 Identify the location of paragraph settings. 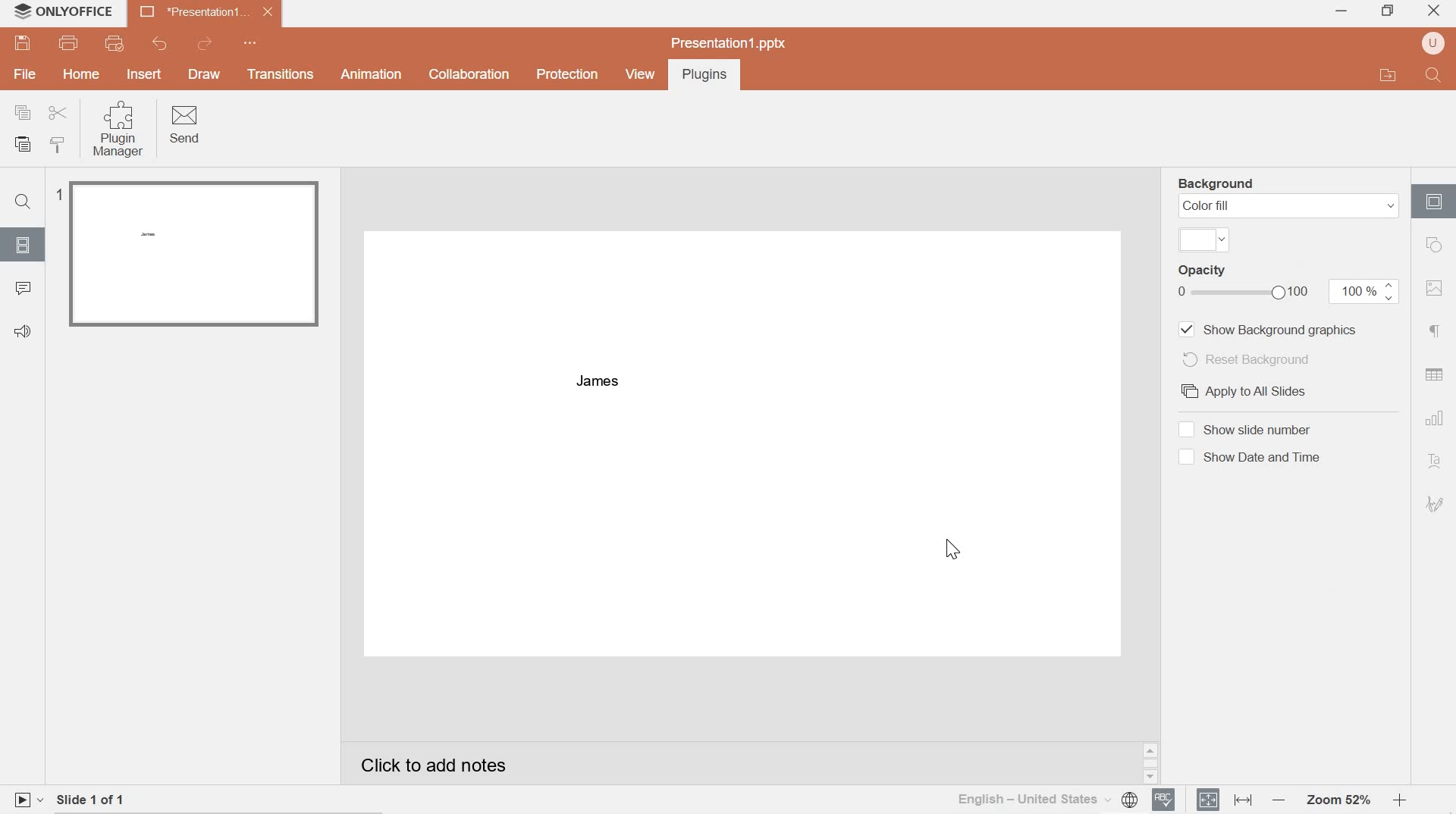
(1437, 332).